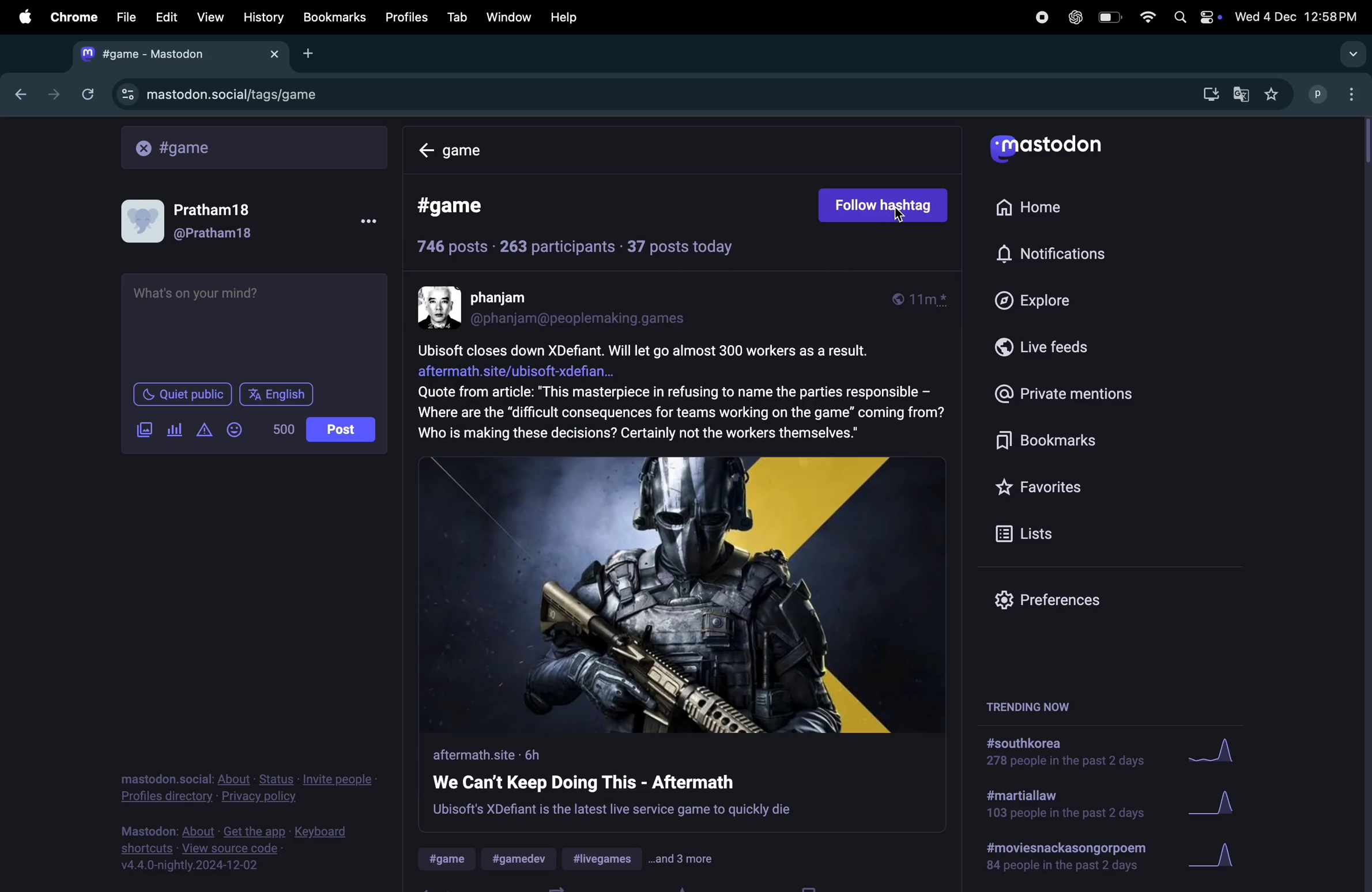 Image resolution: width=1372 pixels, height=892 pixels. I want to click on add text box, so click(253, 325).